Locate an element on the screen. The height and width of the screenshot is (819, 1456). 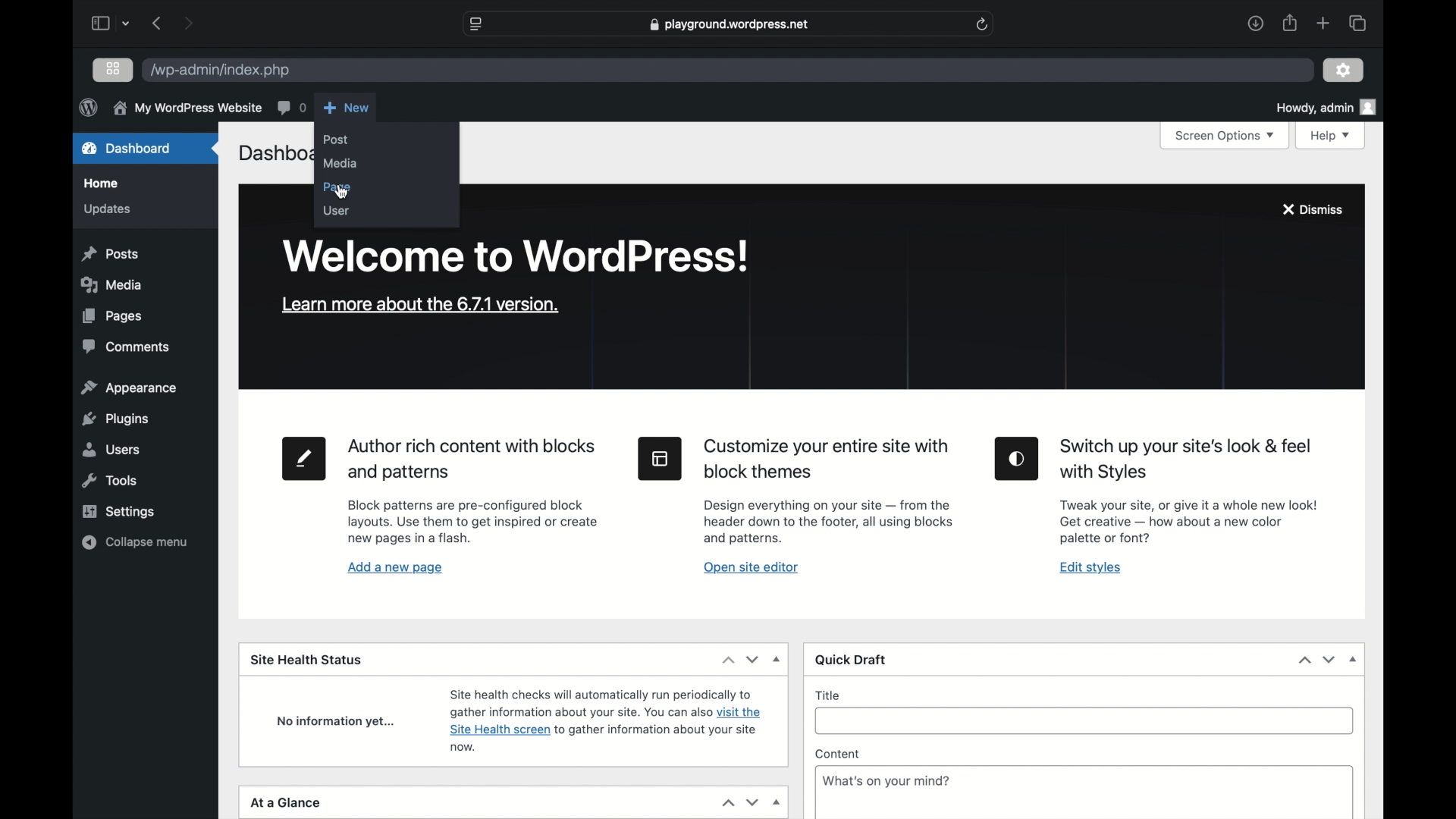
collapse menu is located at coordinates (135, 542).